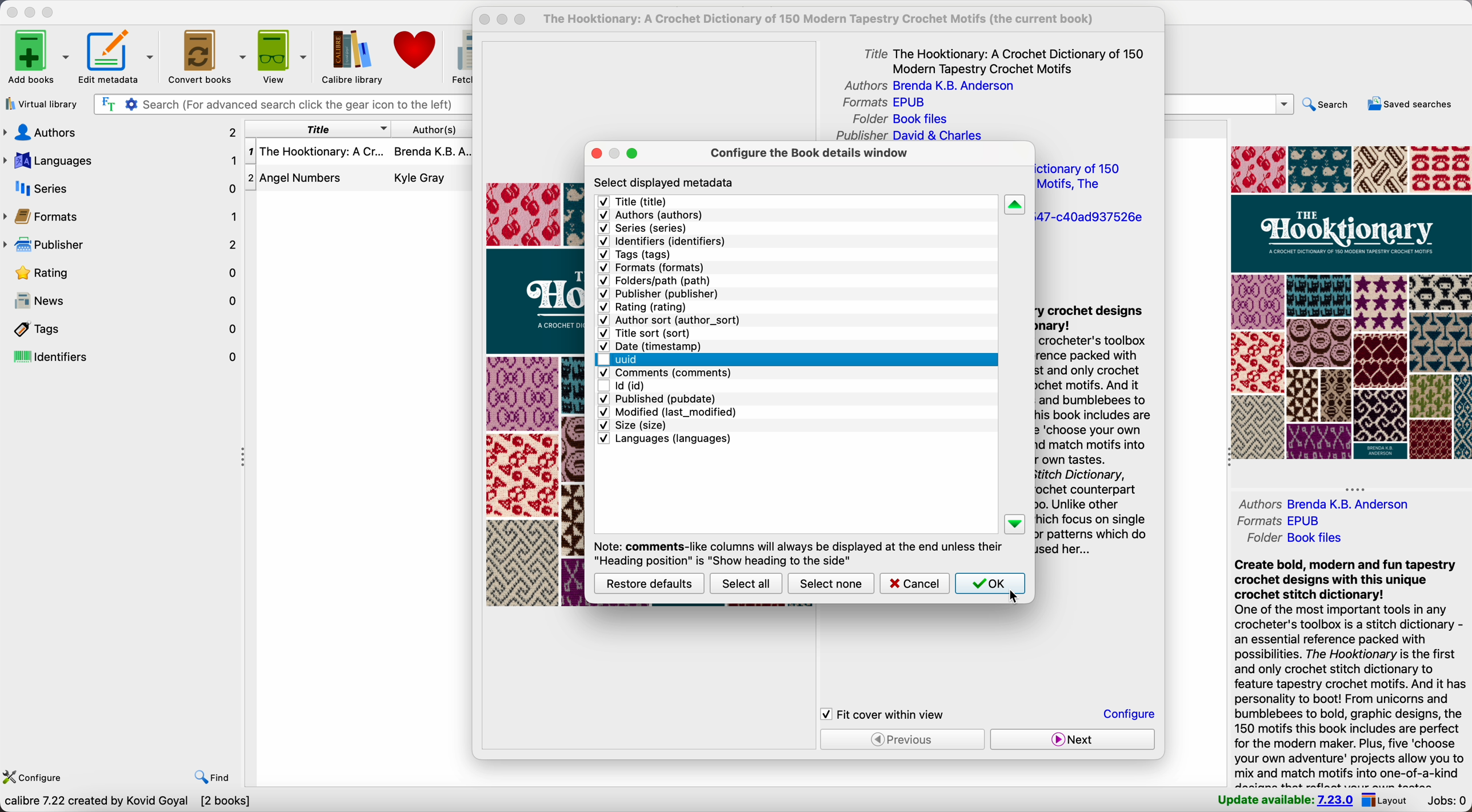  What do you see at coordinates (505, 20) in the screenshot?
I see `disable minimize popup` at bounding box center [505, 20].